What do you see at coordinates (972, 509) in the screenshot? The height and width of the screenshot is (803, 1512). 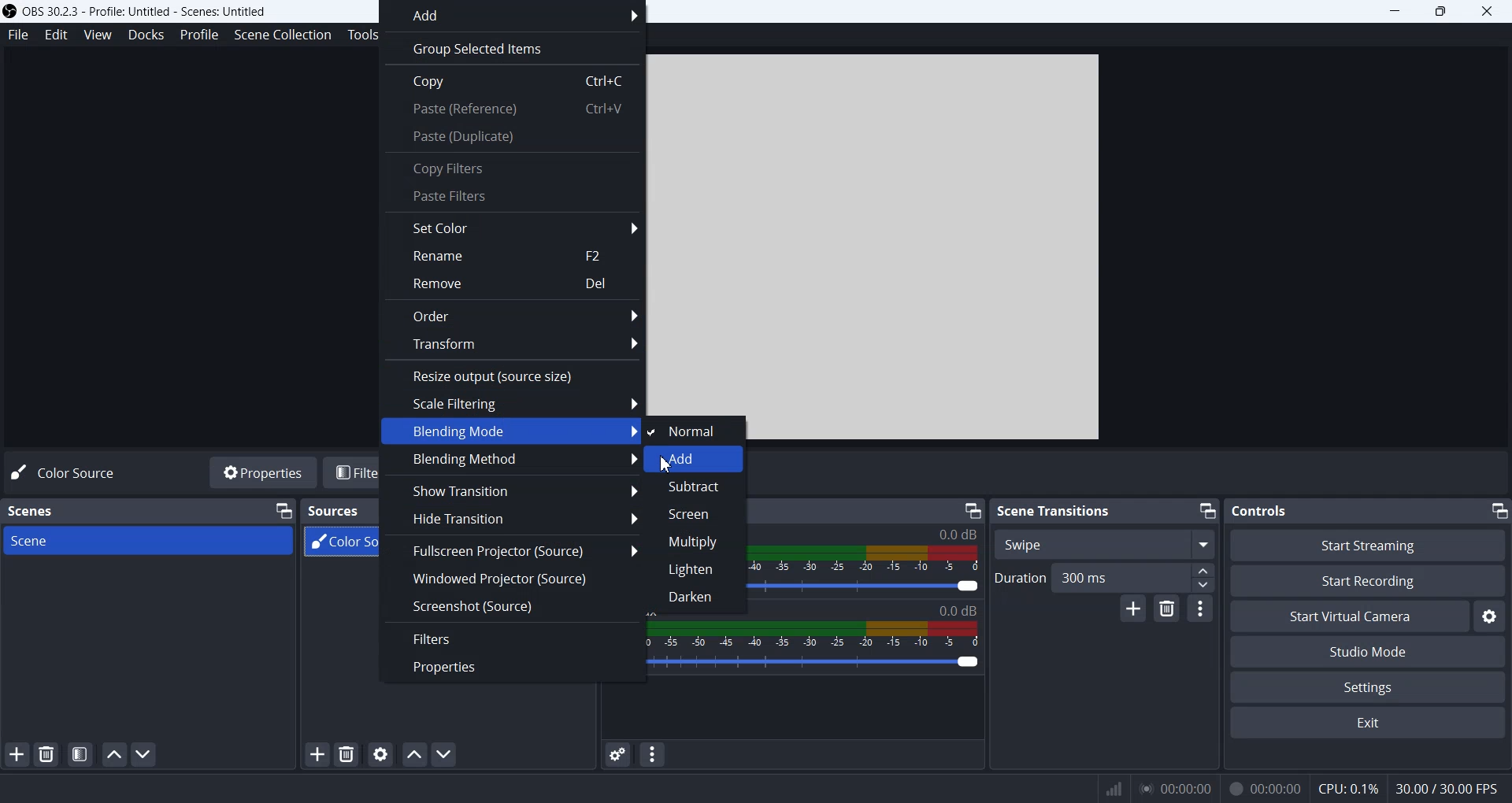 I see `Minimize` at bounding box center [972, 509].